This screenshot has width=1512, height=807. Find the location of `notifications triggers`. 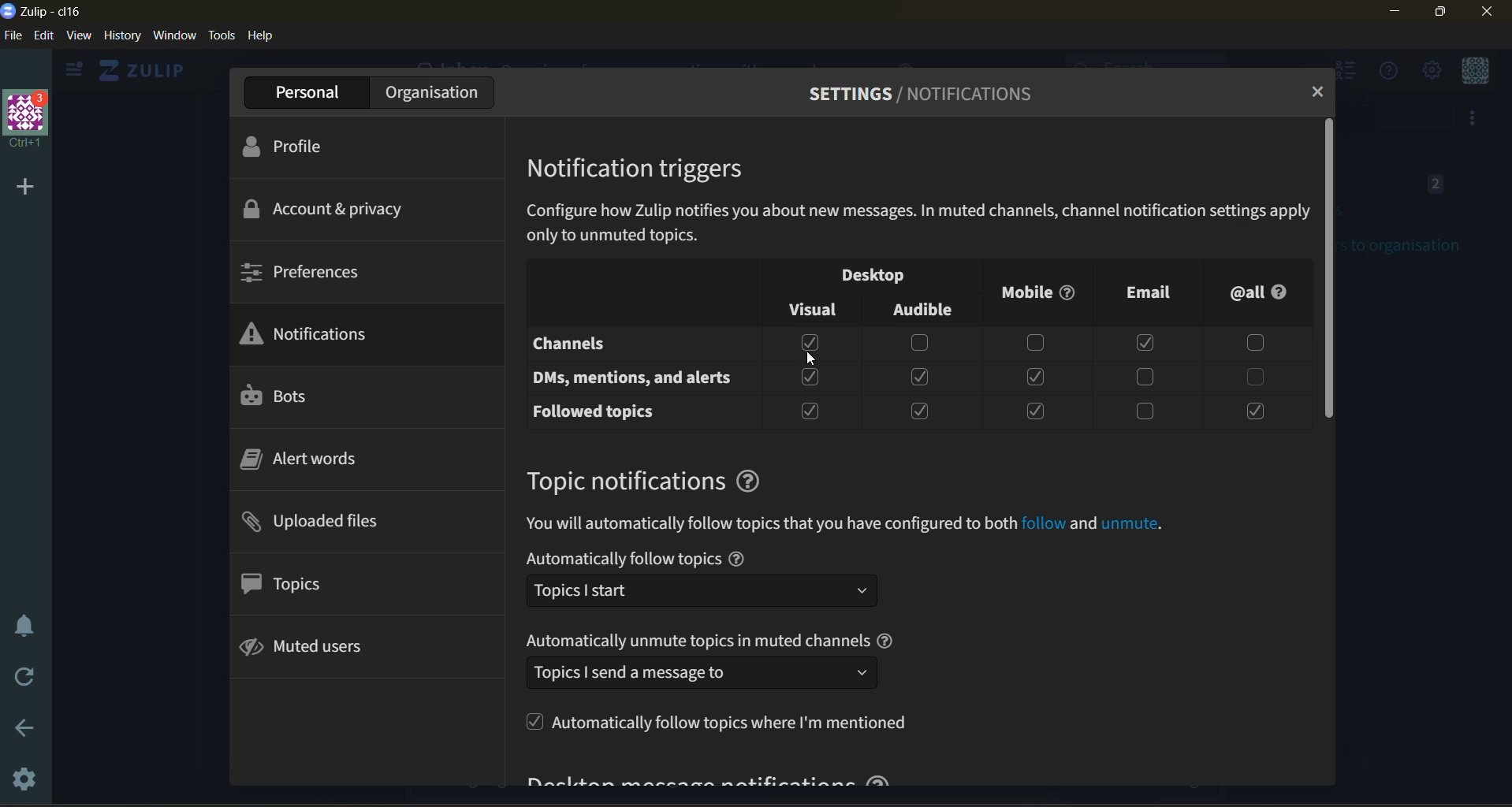

notifications triggers is located at coordinates (640, 166).